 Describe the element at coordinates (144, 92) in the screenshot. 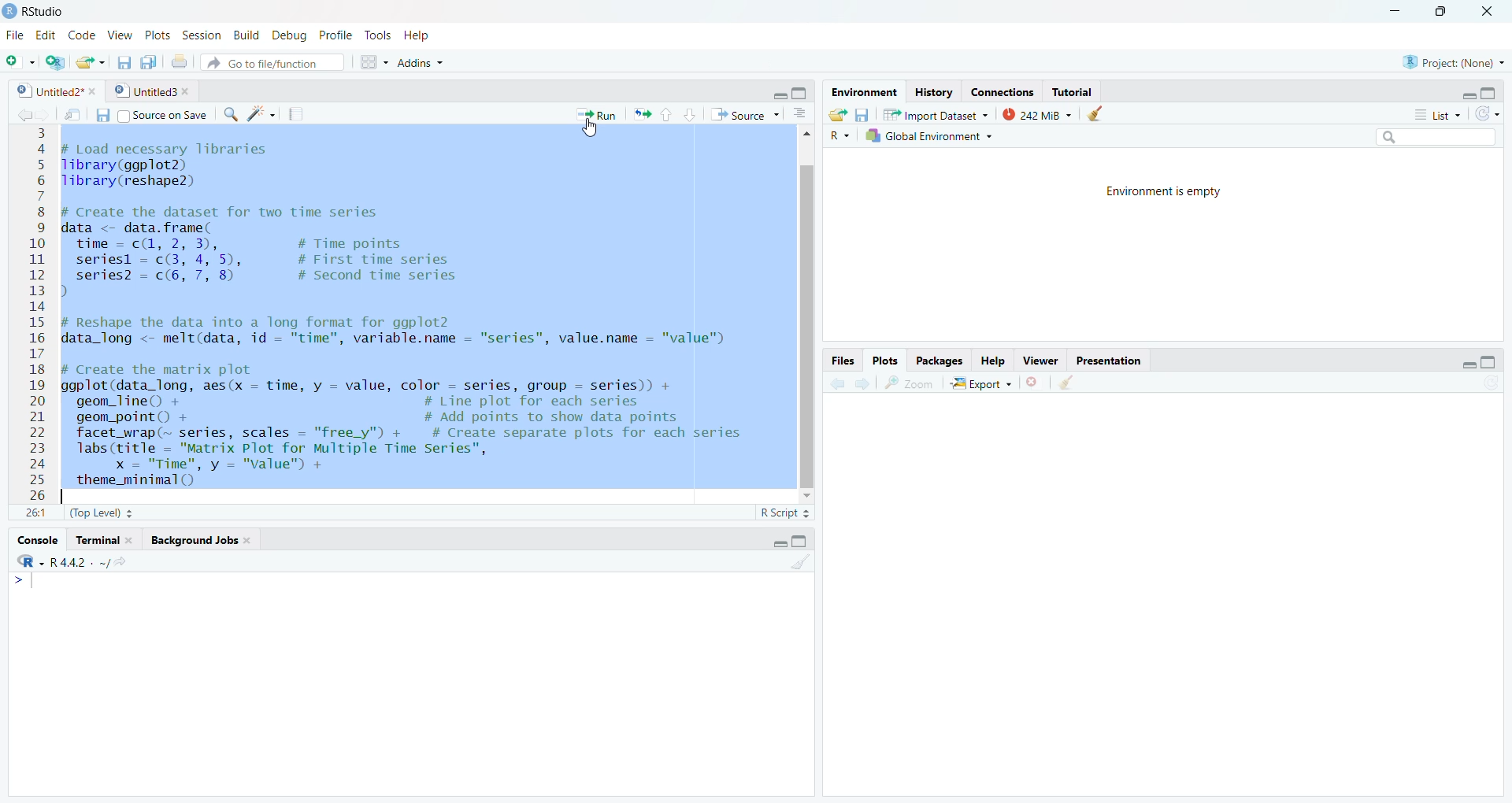

I see `Untitled3` at that location.